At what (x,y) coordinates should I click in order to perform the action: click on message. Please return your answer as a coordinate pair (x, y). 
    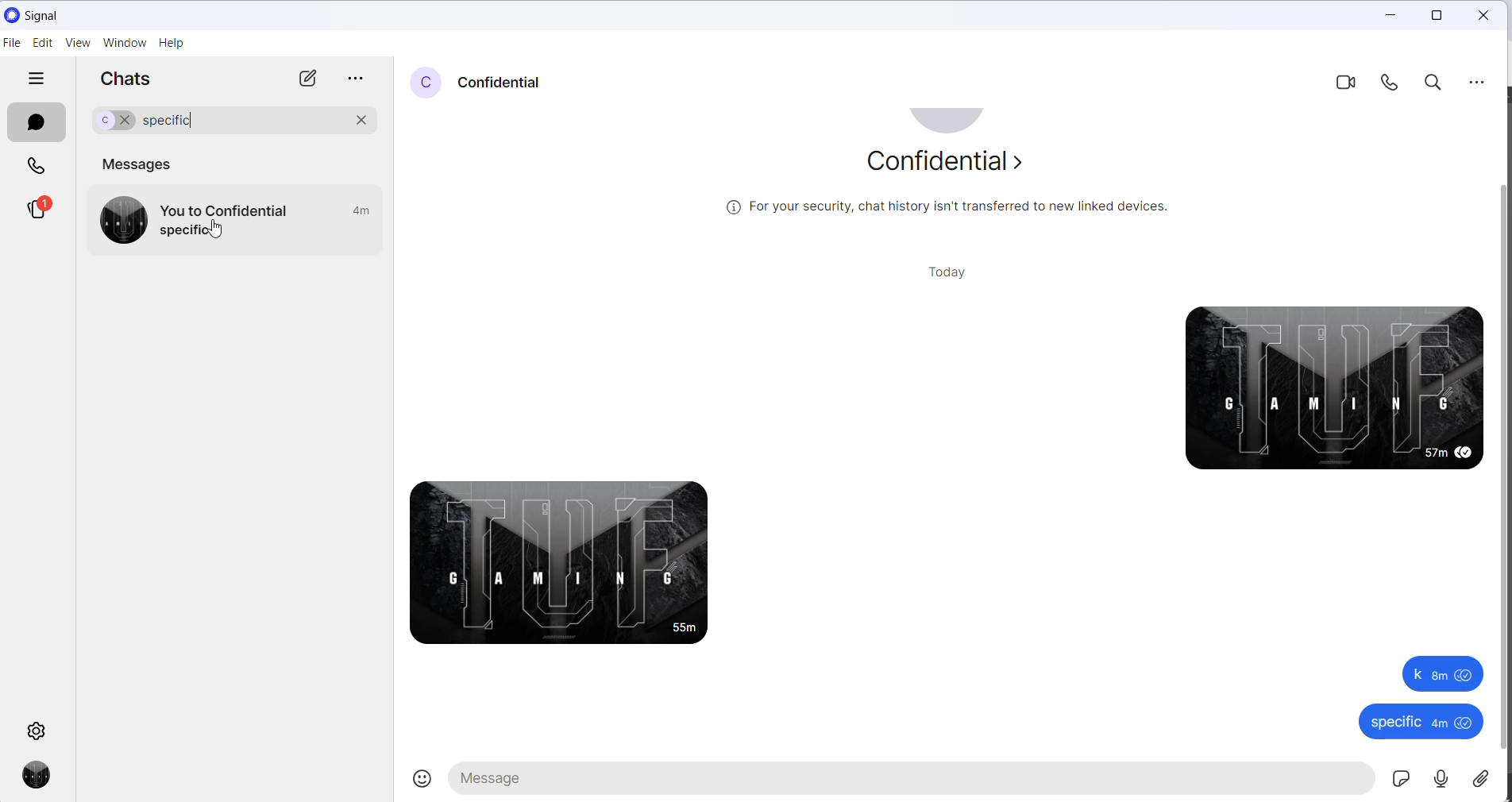
    Looking at the image, I should click on (190, 231).